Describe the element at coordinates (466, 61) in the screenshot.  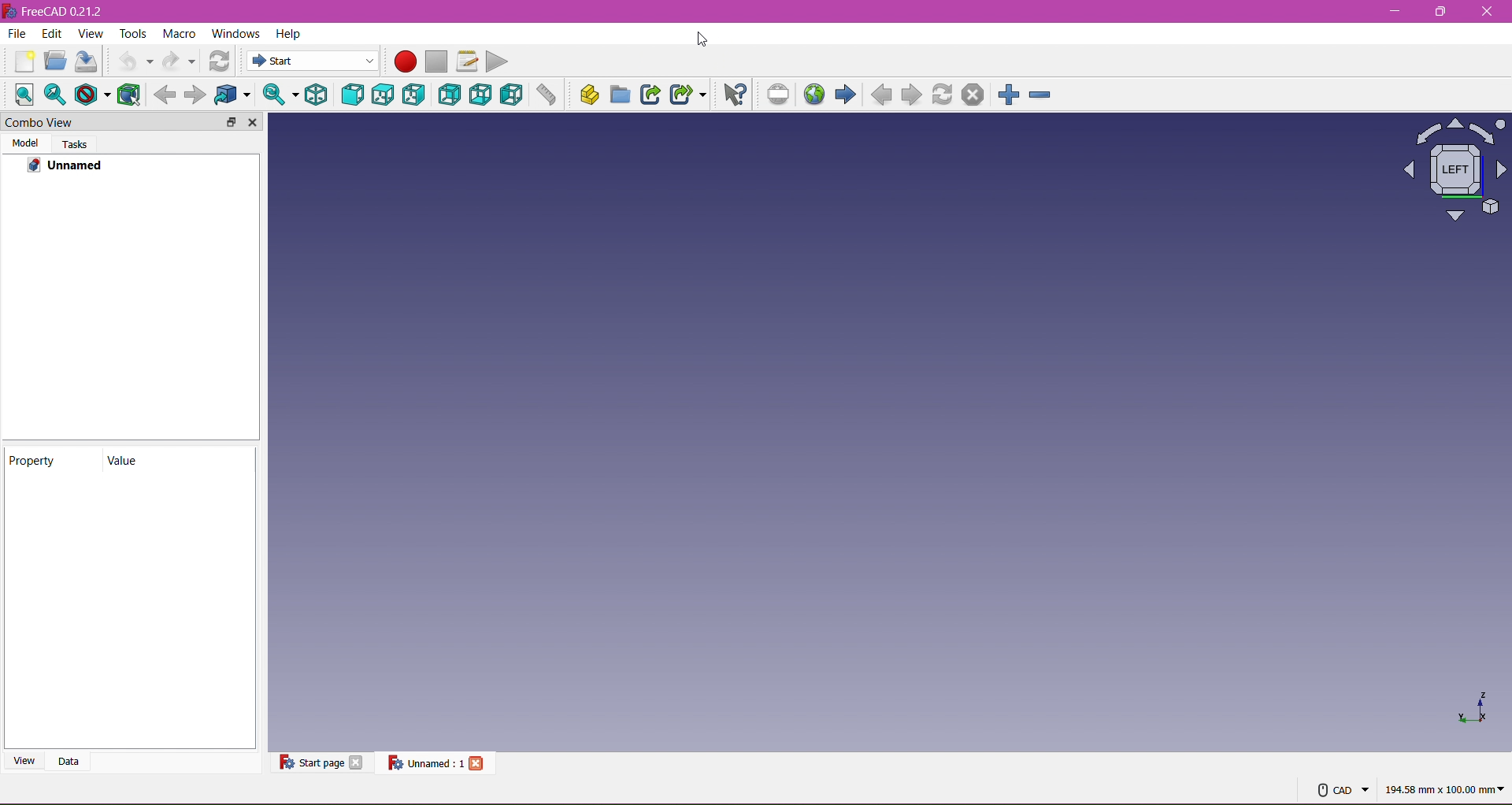
I see `Edit Macro` at that location.